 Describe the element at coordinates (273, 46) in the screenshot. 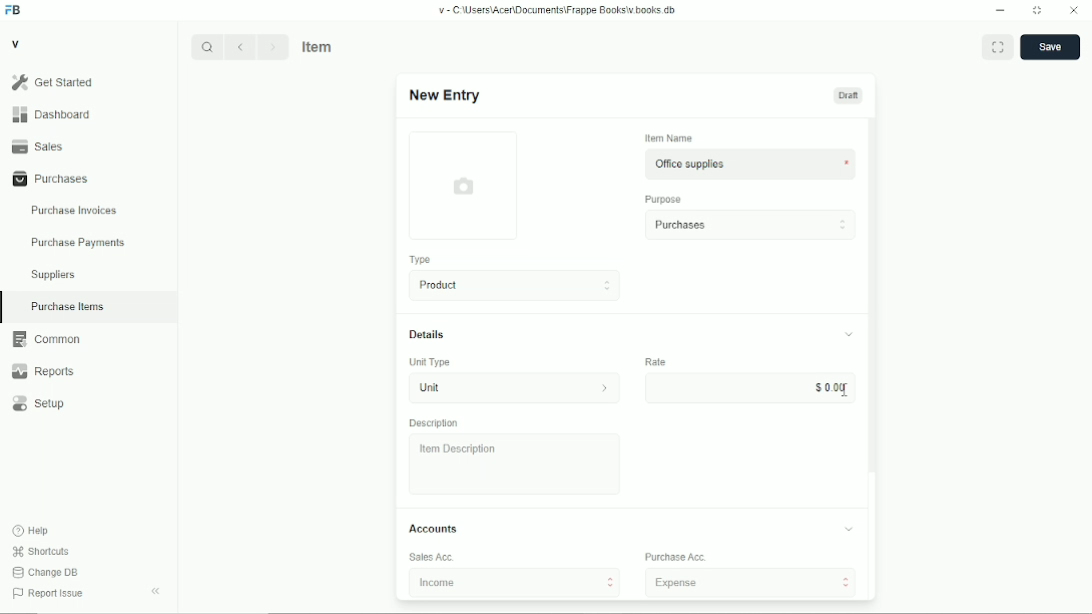

I see `Next` at that location.